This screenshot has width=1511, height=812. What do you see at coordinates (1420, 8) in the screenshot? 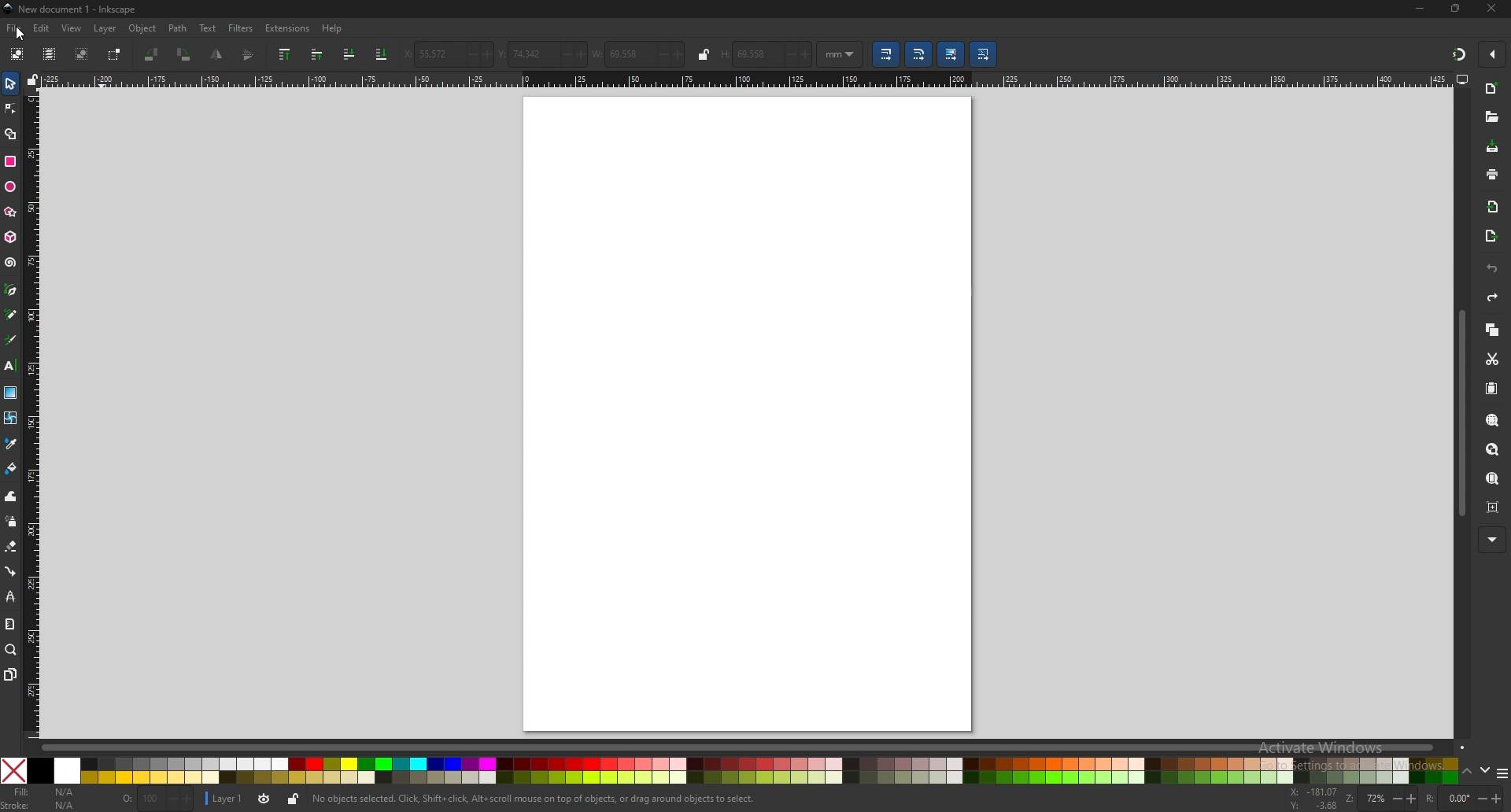
I see `minimize` at bounding box center [1420, 8].